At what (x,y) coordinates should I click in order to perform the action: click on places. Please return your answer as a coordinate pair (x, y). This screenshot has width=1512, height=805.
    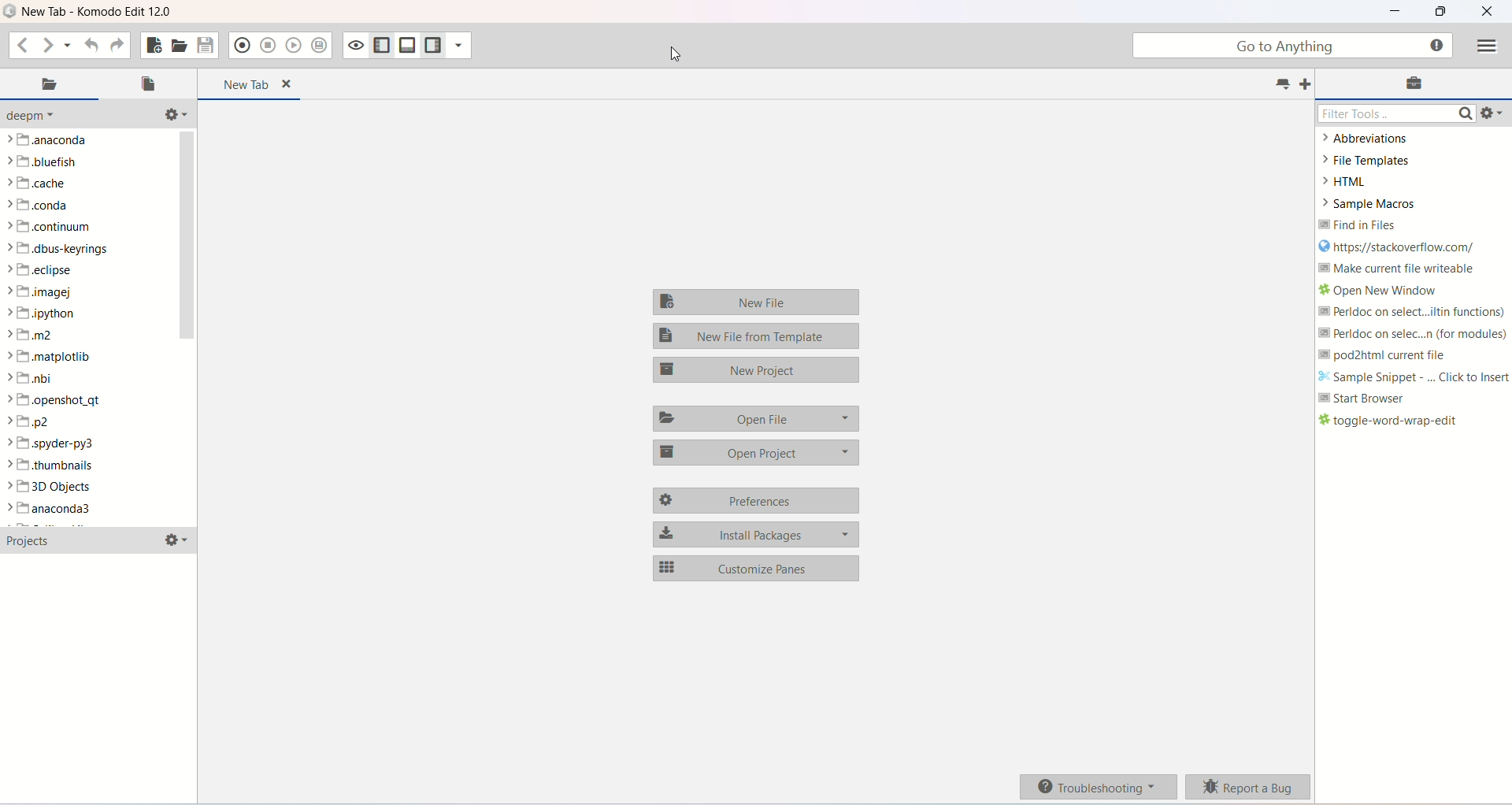
    Looking at the image, I should click on (50, 86).